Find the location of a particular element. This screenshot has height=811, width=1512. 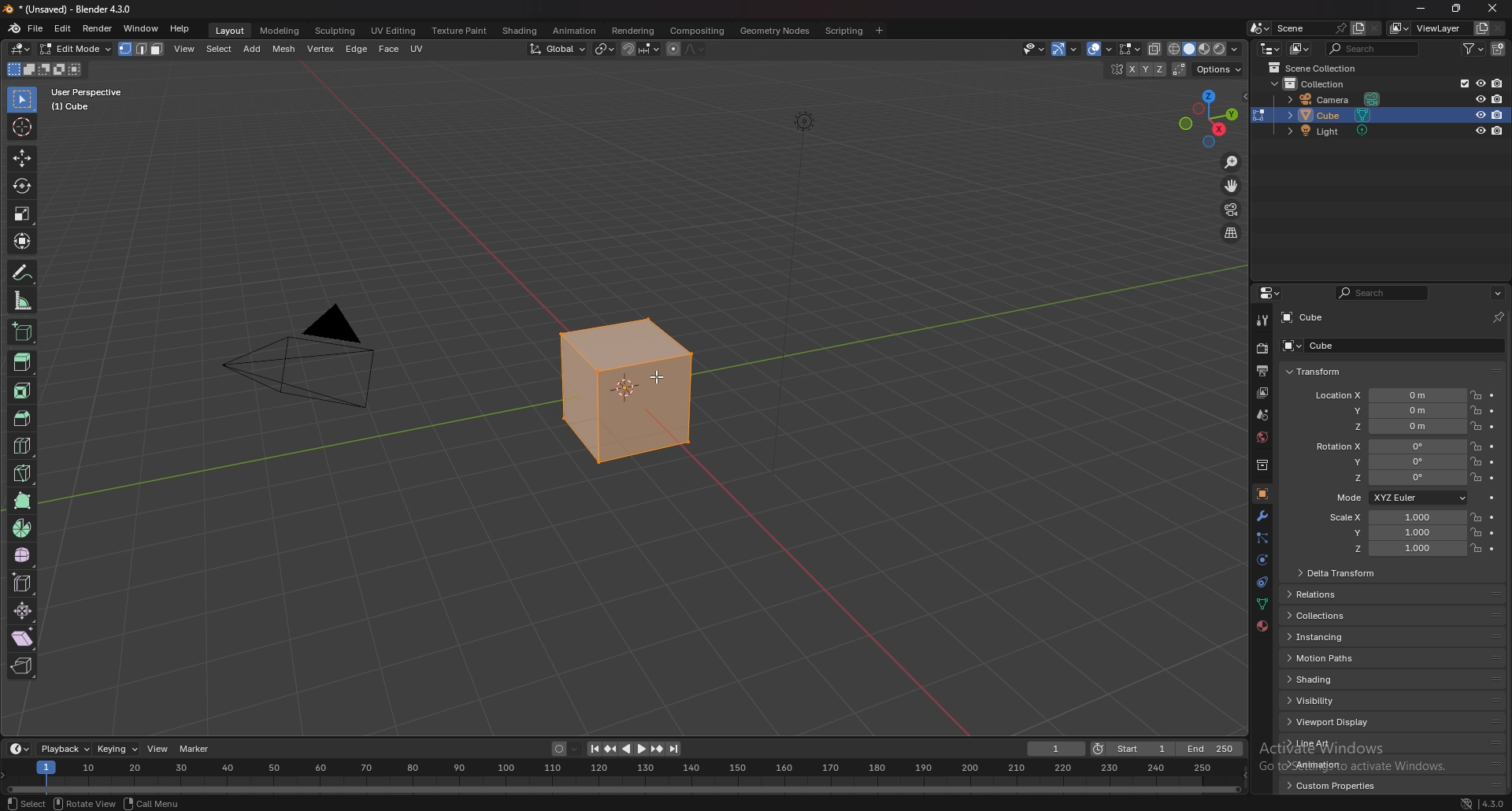

texture paint is located at coordinates (461, 31).